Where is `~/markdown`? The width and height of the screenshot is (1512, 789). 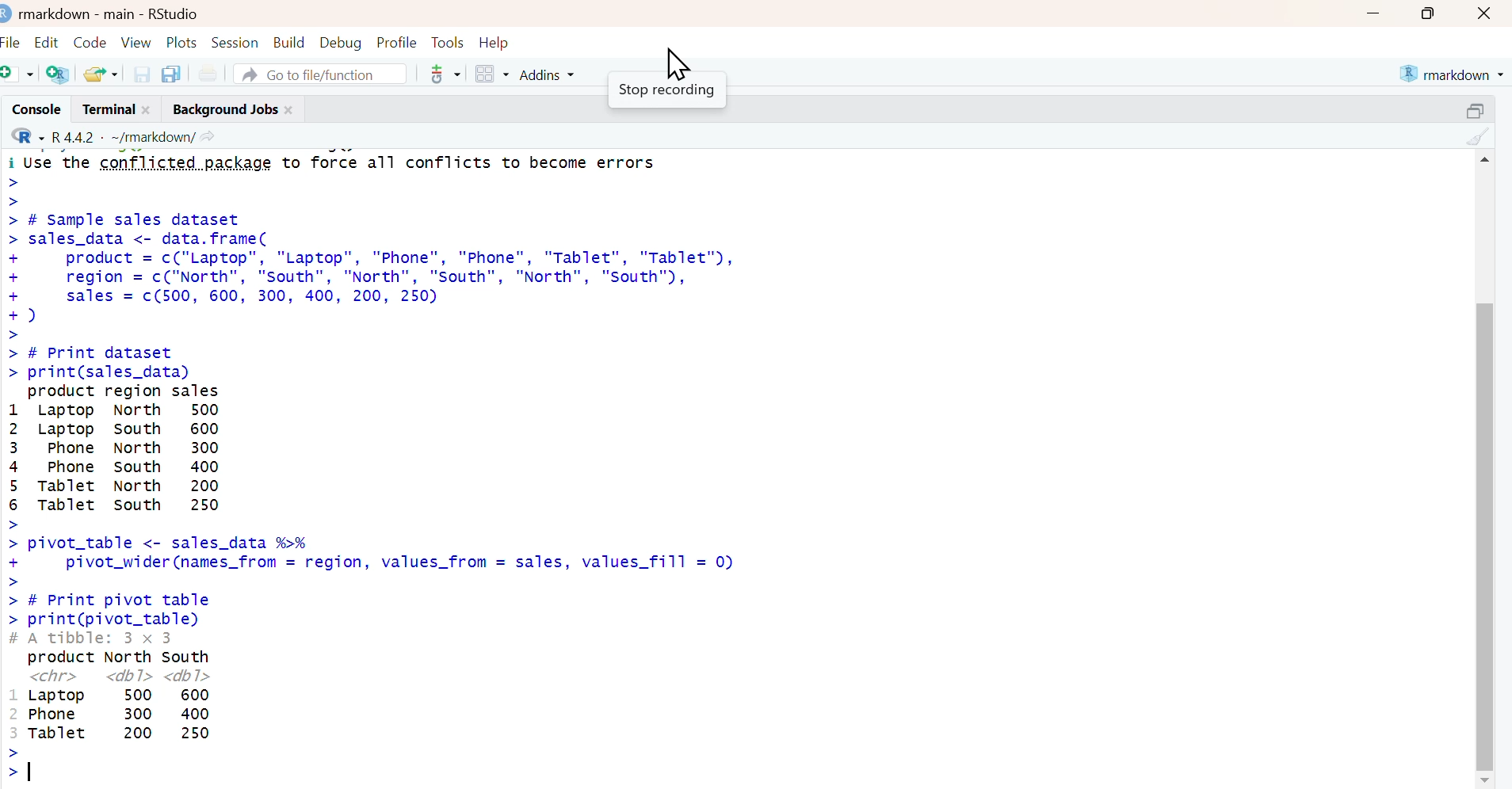 ~/markdown is located at coordinates (151, 135).